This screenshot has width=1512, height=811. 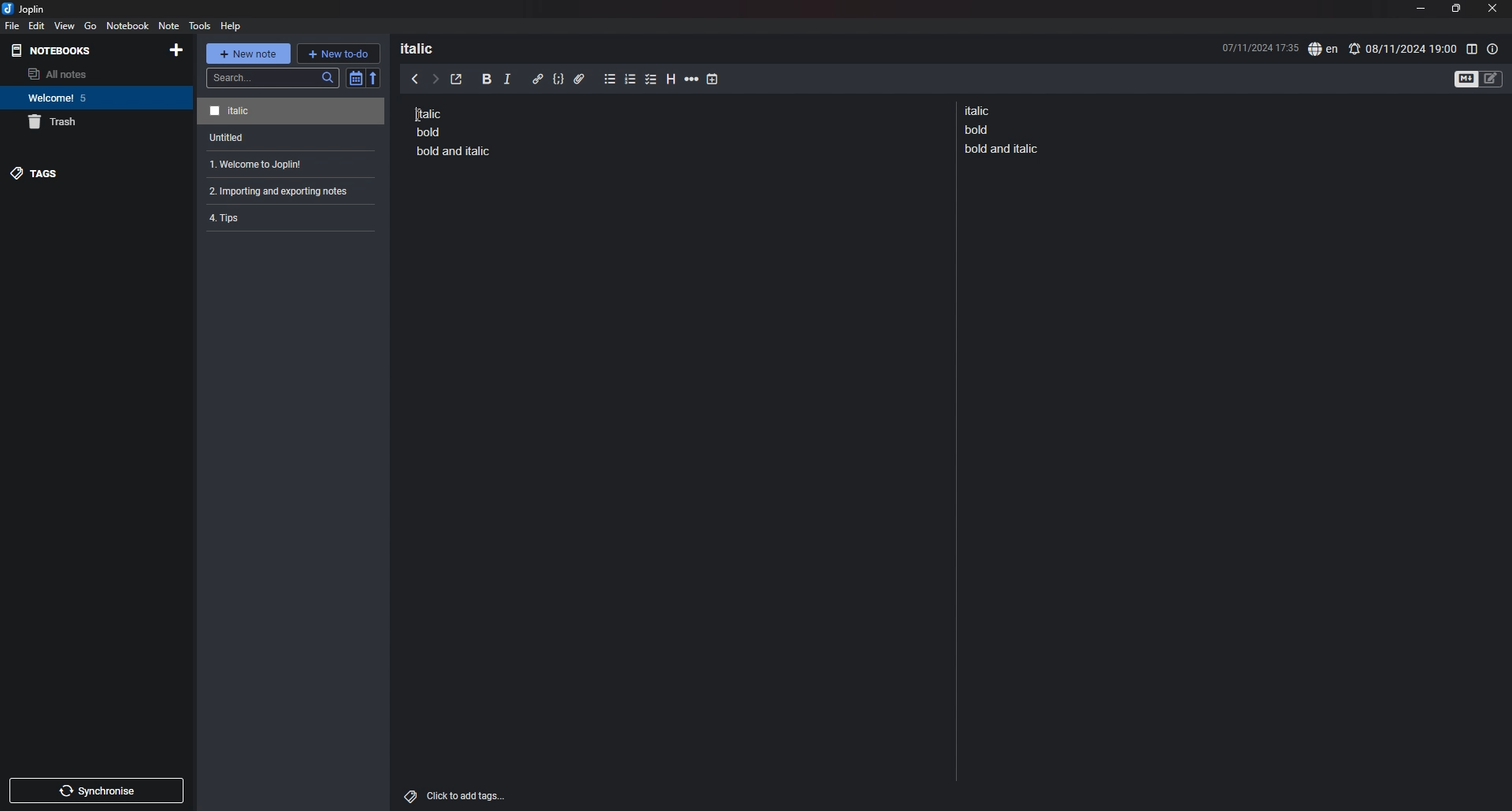 What do you see at coordinates (1471, 49) in the screenshot?
I see `toggle editor layout` at bounding box center [1471, 49].